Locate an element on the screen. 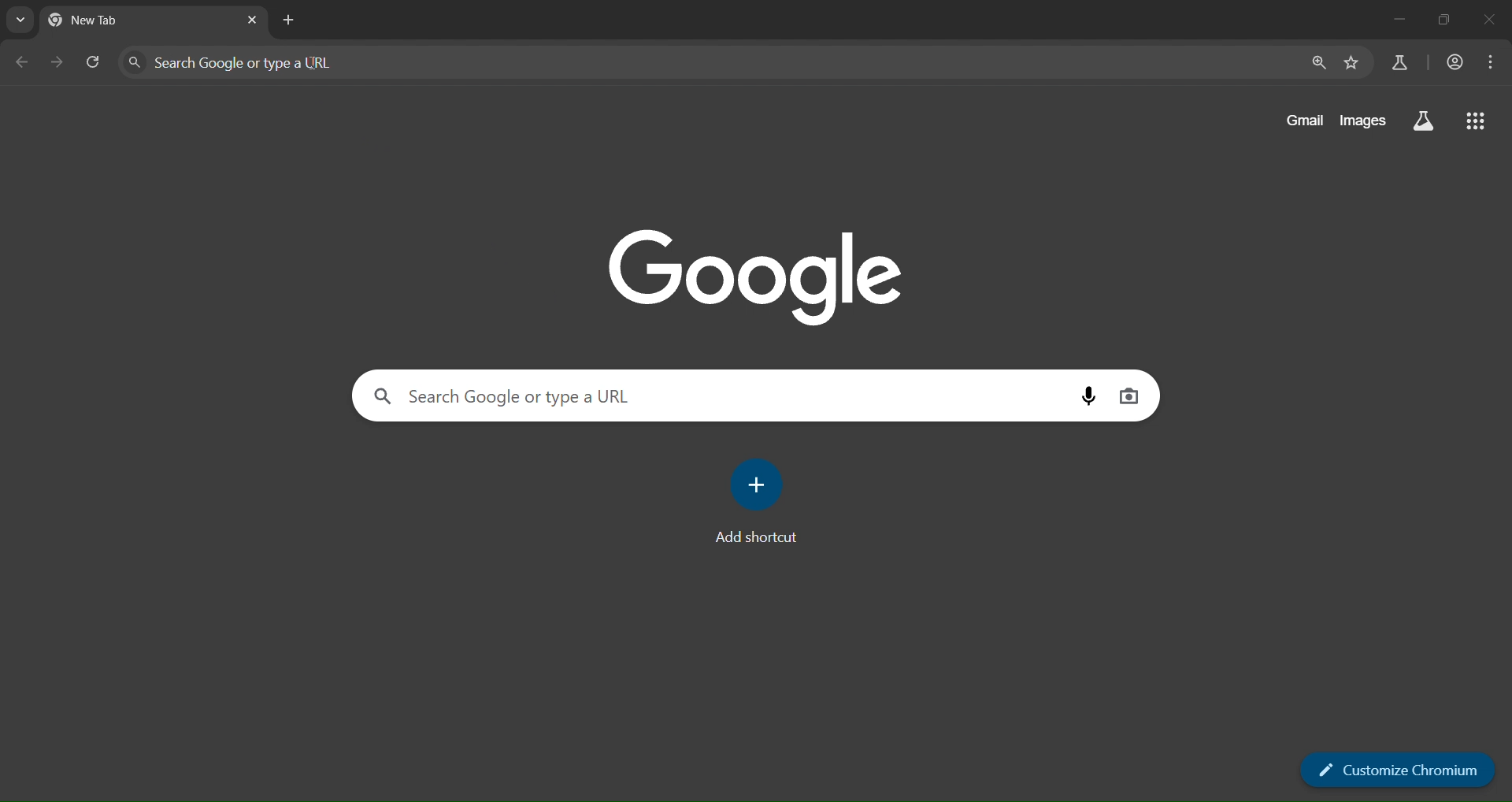  restore down is located at coordinates (1443, 20).